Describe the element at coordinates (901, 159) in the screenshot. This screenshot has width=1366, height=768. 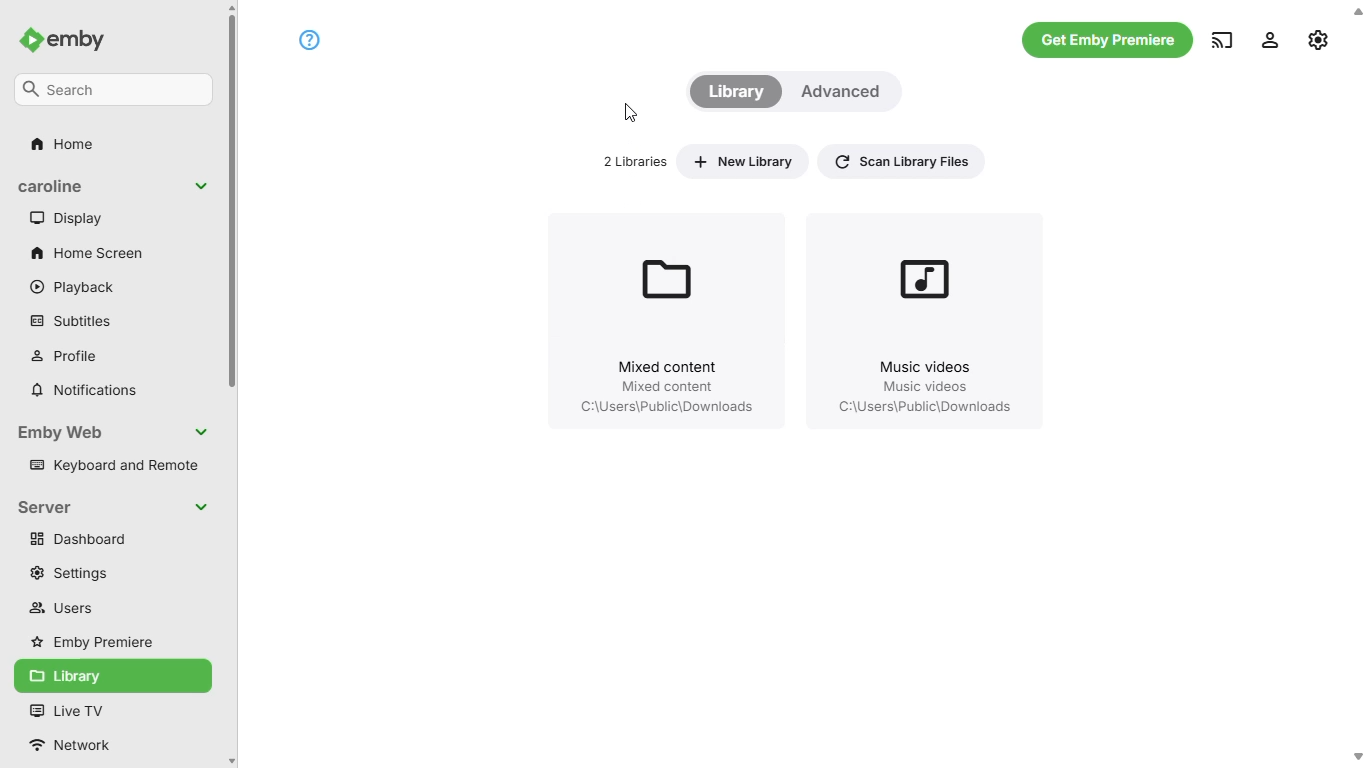
I see `scan library files` at that location.